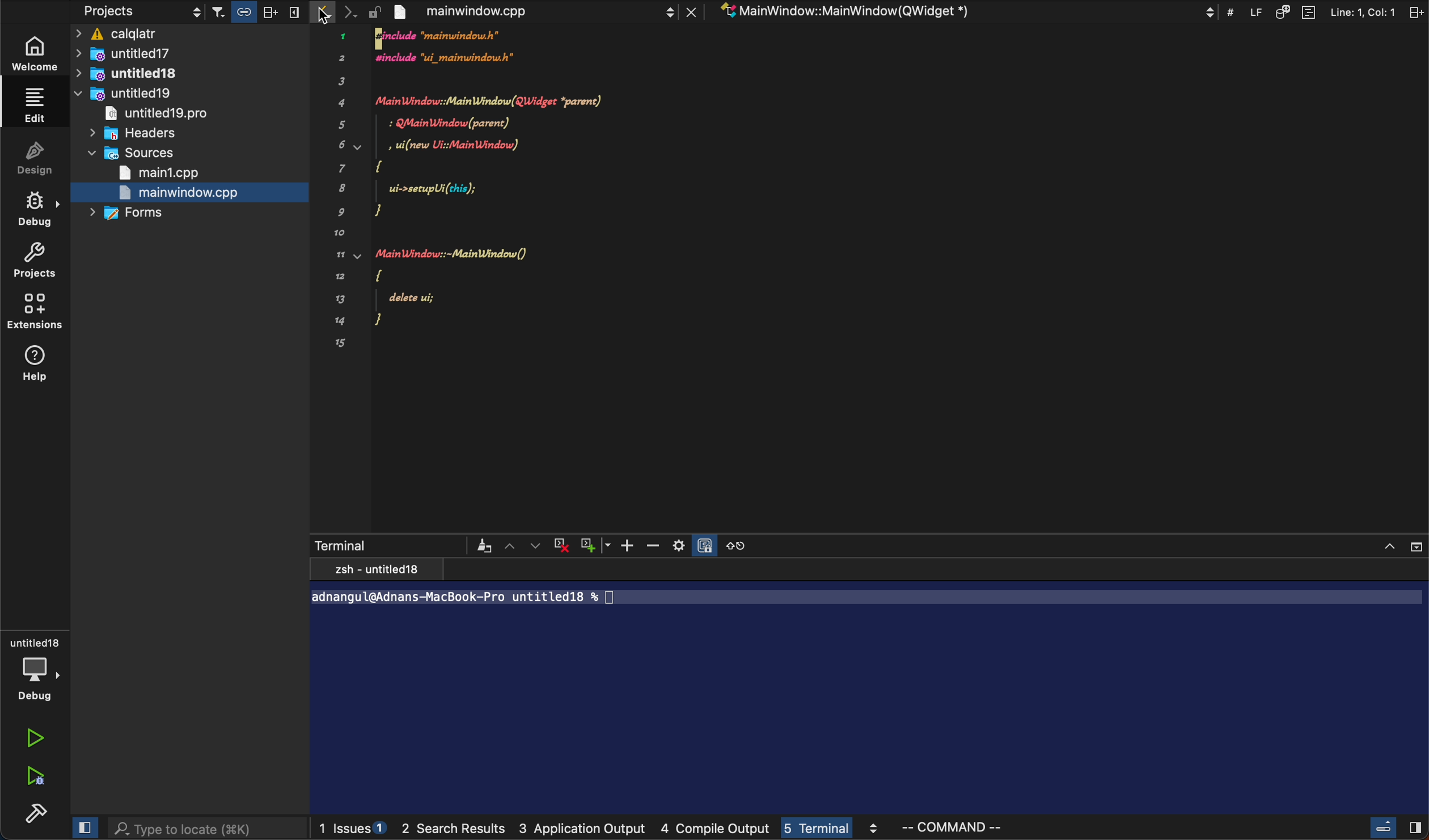 The width and height of the screenshot is (1429, 840). Describe the element at coordinates (133, 214) in the screenshot. I see `forms` at that location.